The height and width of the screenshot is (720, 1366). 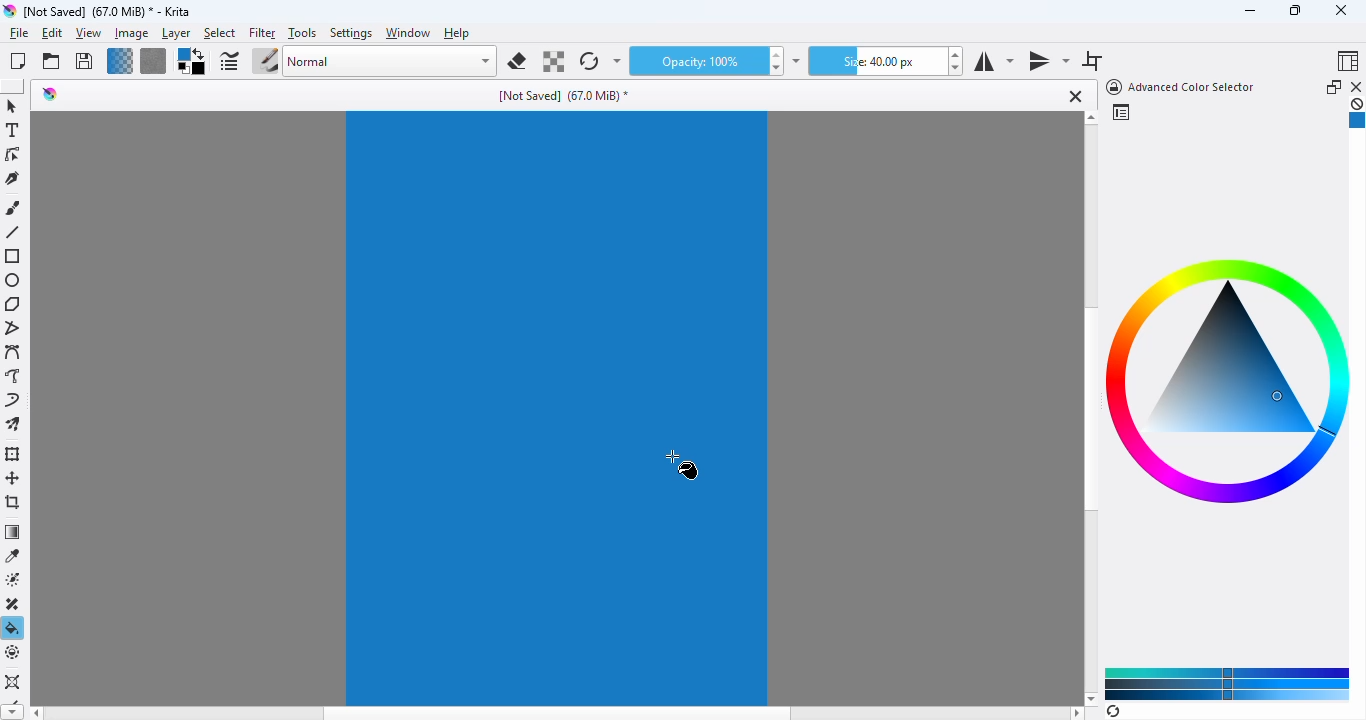 I want to click on title, so click(x=562, y=96).